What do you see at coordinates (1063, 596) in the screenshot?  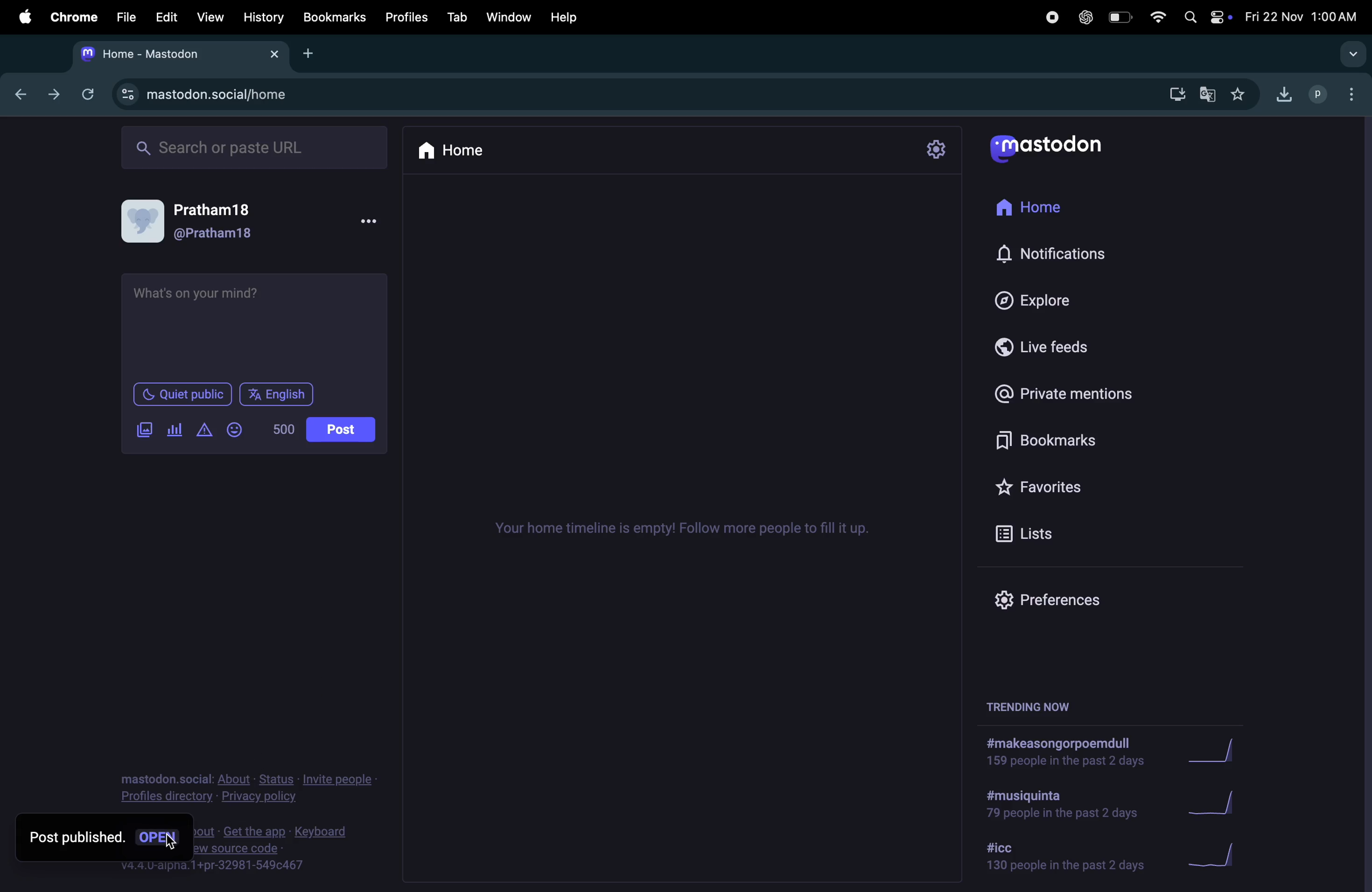 I see `prefrences` at bounding box center [1063, 596].